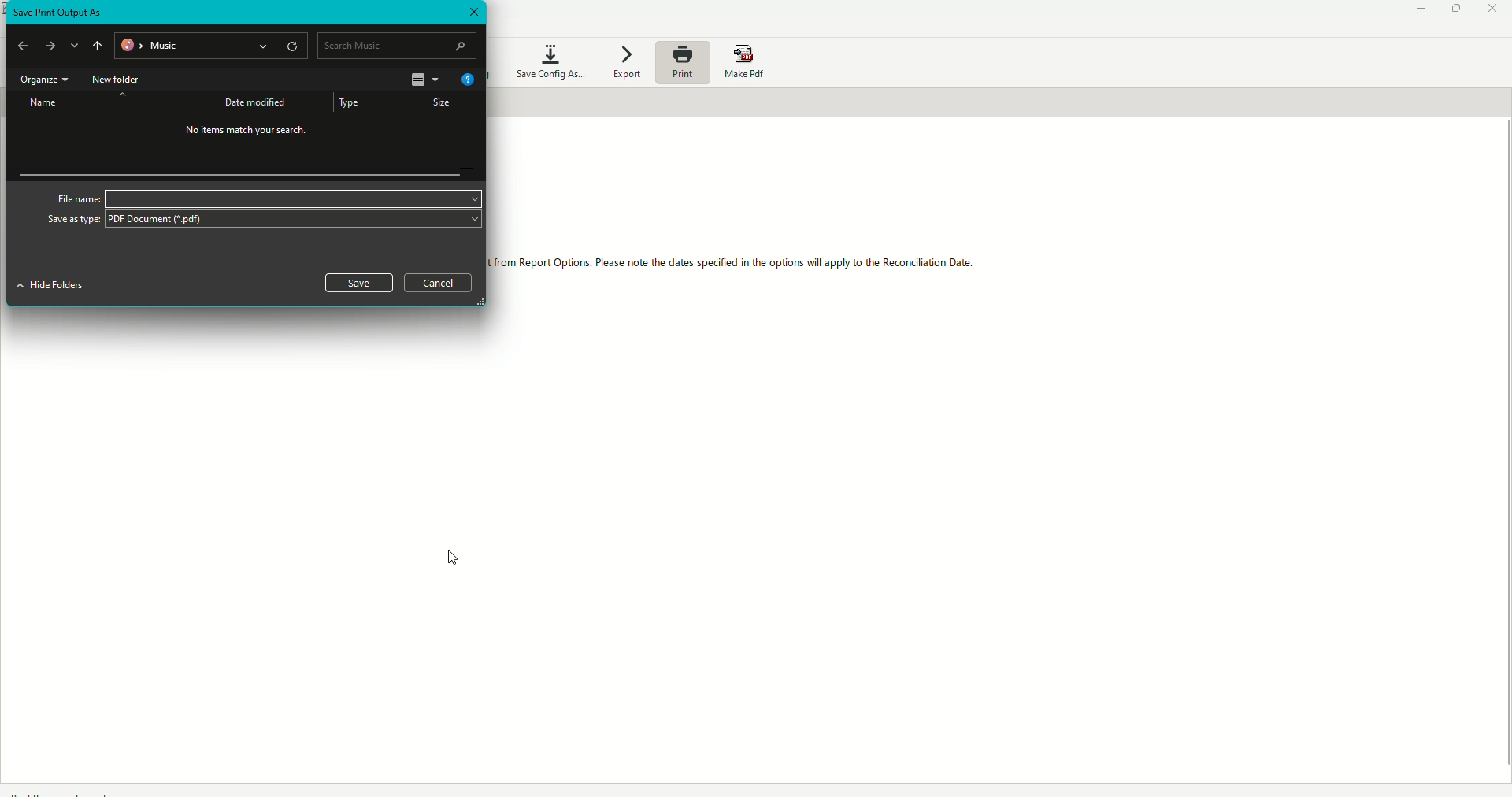 The height and width of the screenshot is (797, 1512). What do you see at coordinates (244, 130) in the screenshot?
I see `No items match` at bounding box center [244, 130].